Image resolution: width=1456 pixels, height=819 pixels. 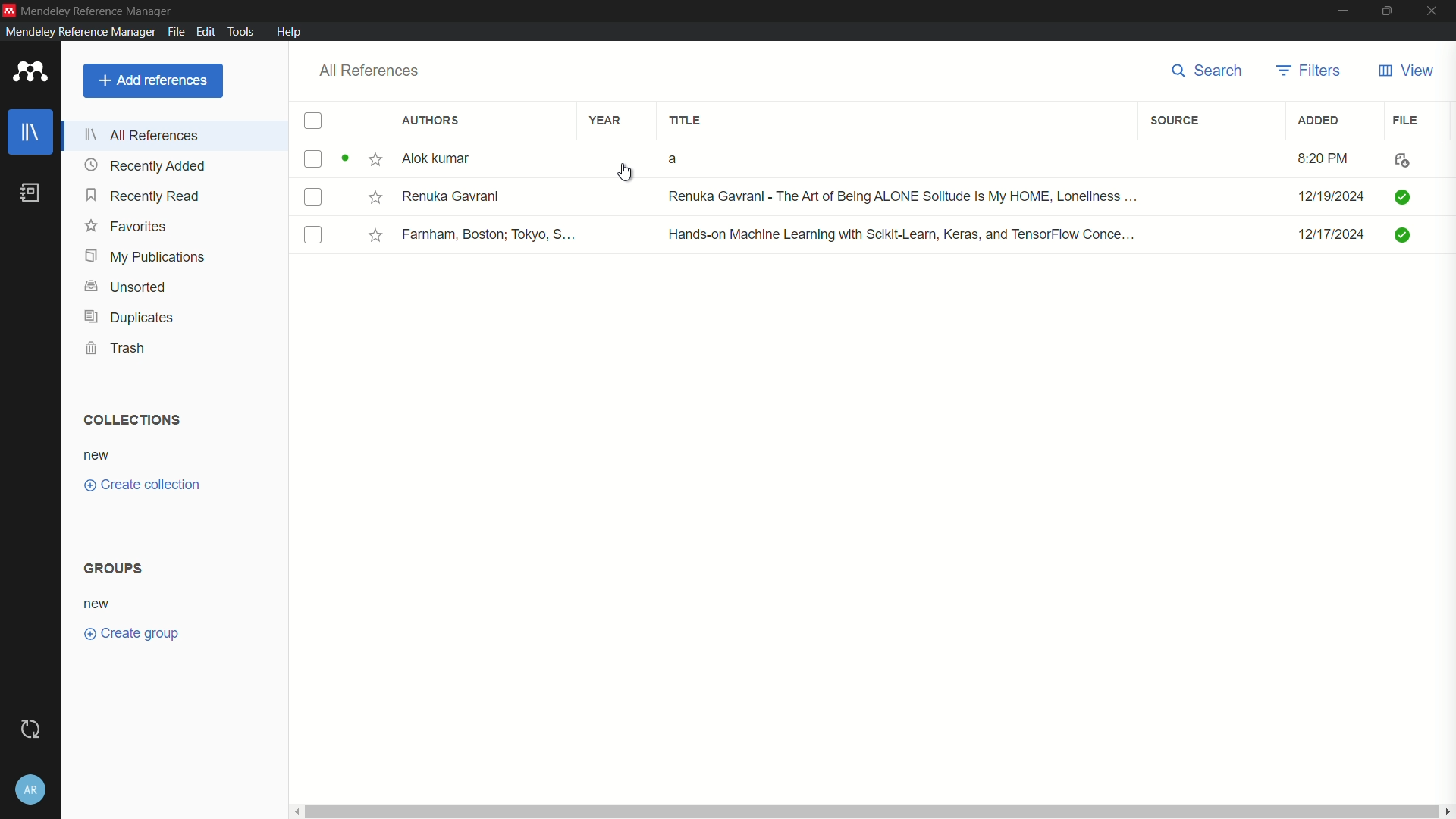 I want to click on close app, so click(x=1435, y=11).